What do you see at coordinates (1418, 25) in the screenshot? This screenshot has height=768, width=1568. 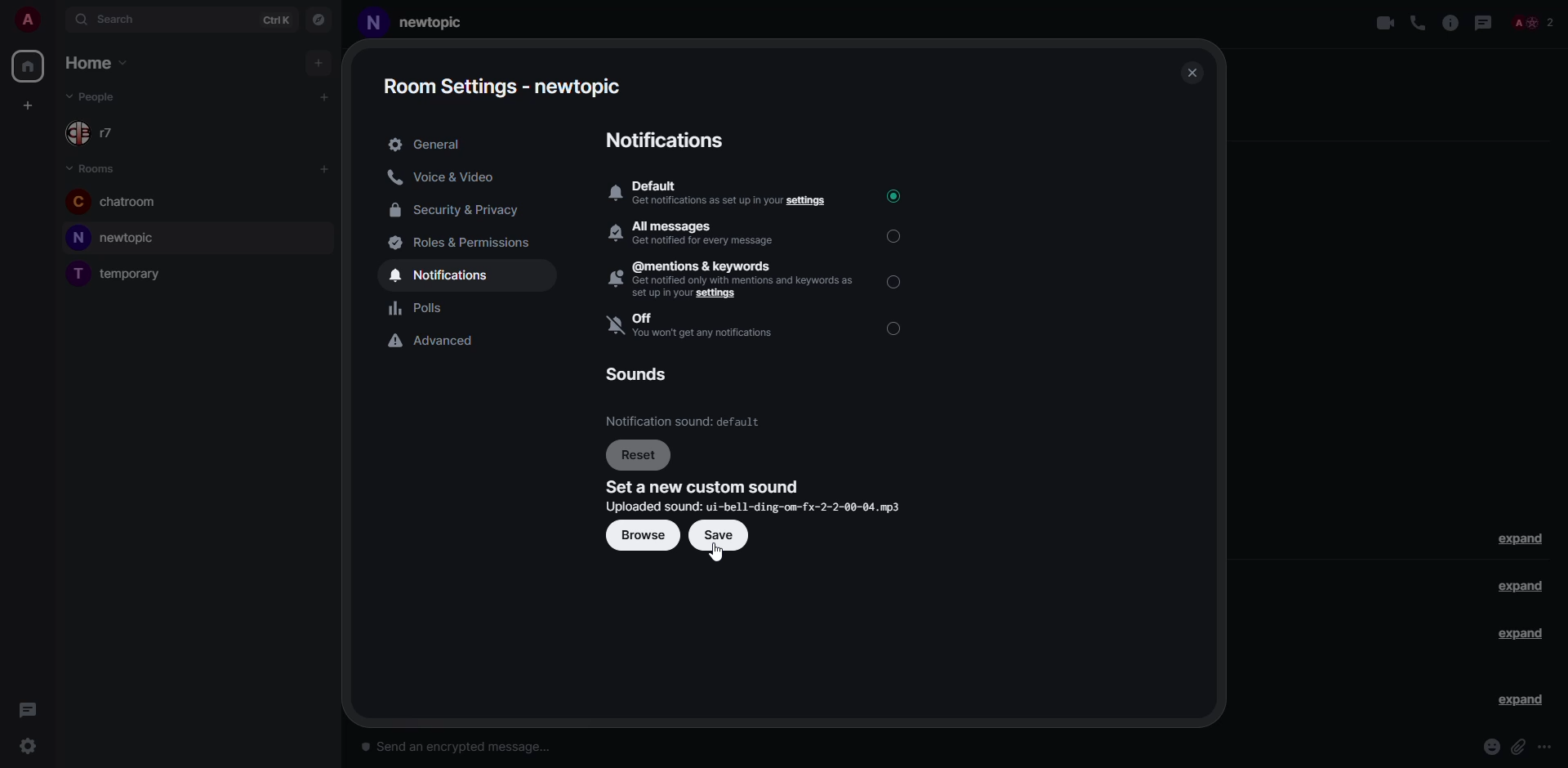 I see `voice` at bounding box center [1418, 25].